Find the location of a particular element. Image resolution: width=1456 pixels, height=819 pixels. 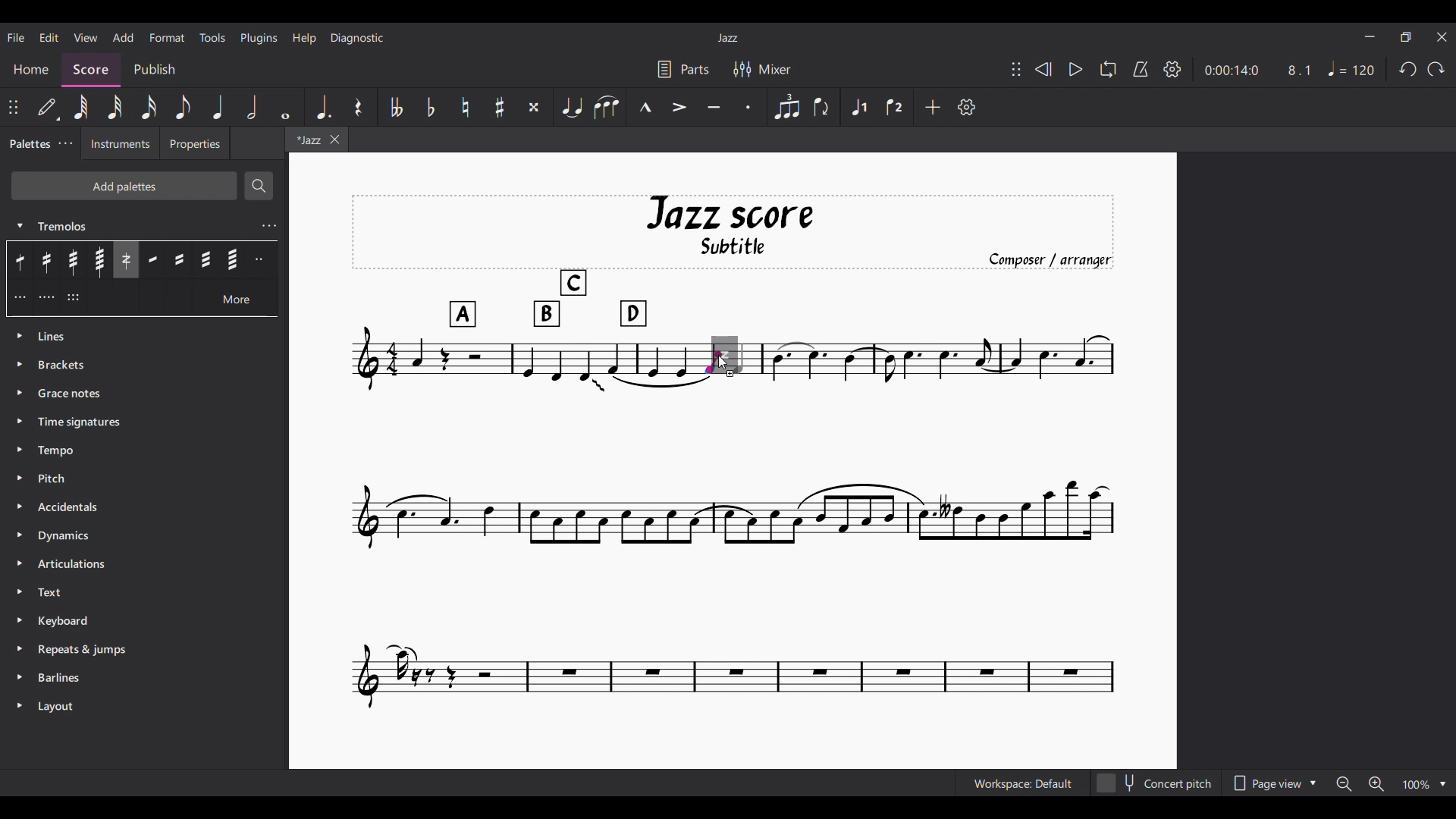

Tie is located at coordinates (572, 106).